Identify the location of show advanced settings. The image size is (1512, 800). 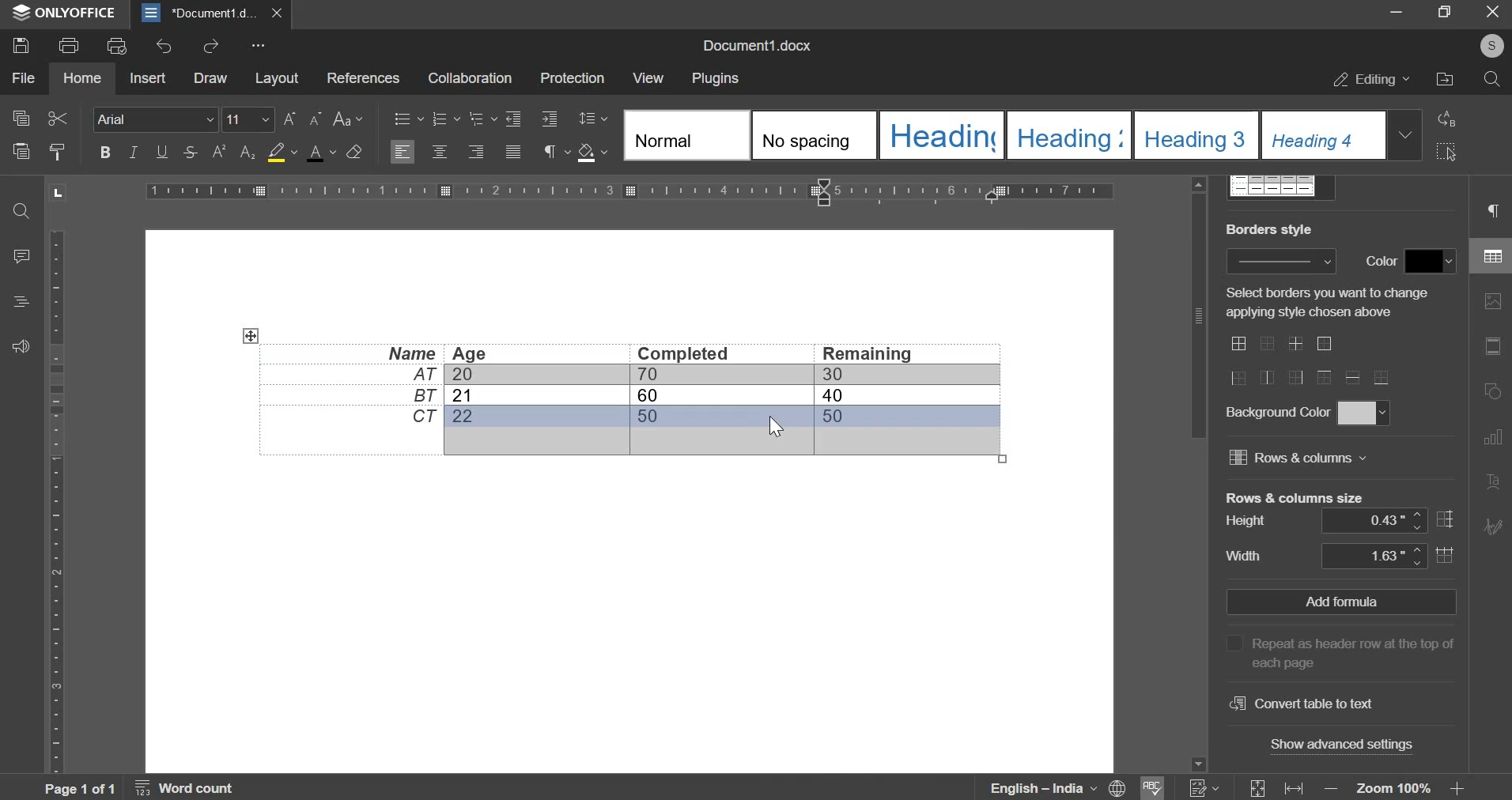
(1348, 746).